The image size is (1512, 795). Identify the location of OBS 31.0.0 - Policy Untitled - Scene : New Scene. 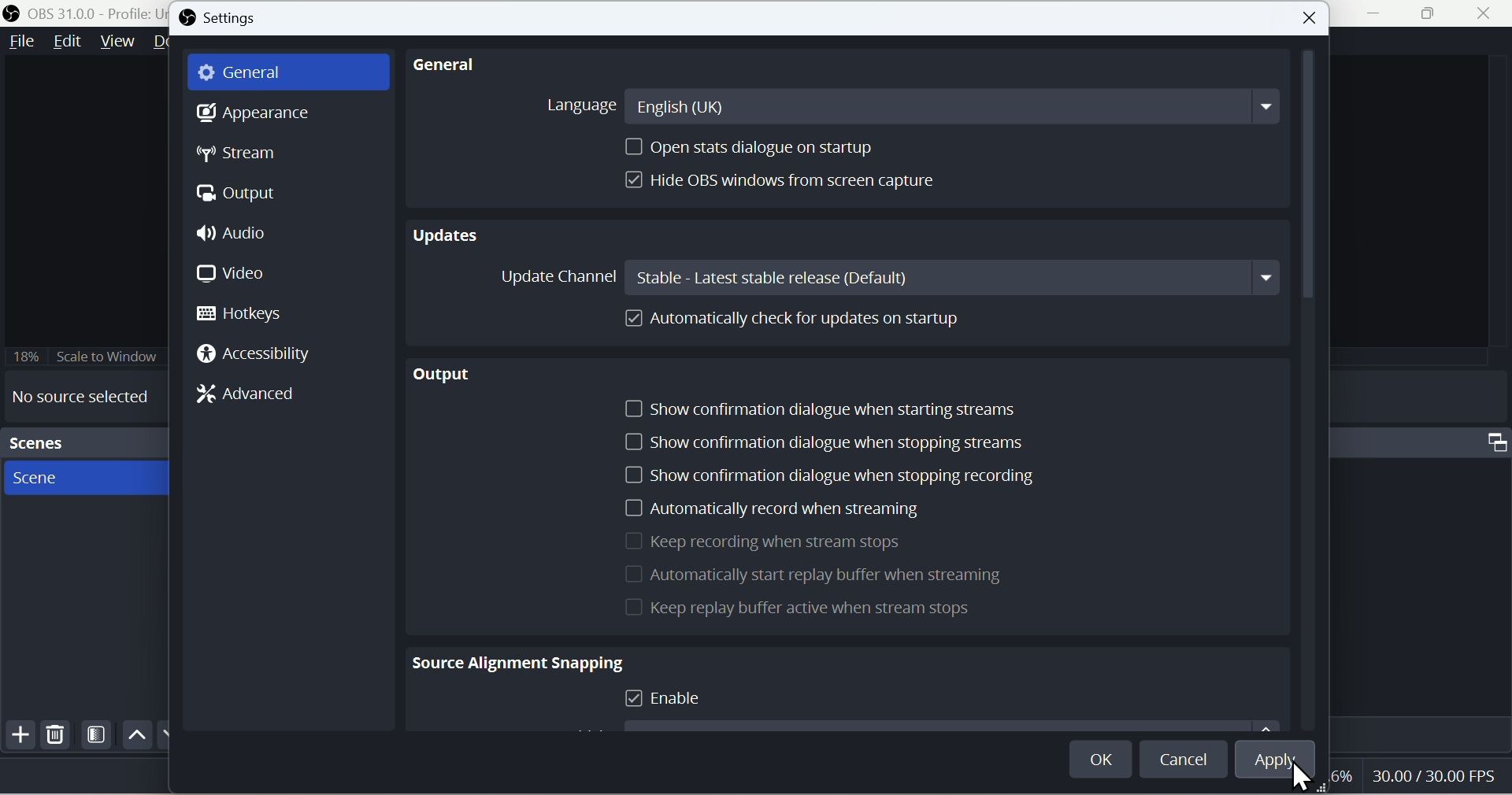
(86, 13).